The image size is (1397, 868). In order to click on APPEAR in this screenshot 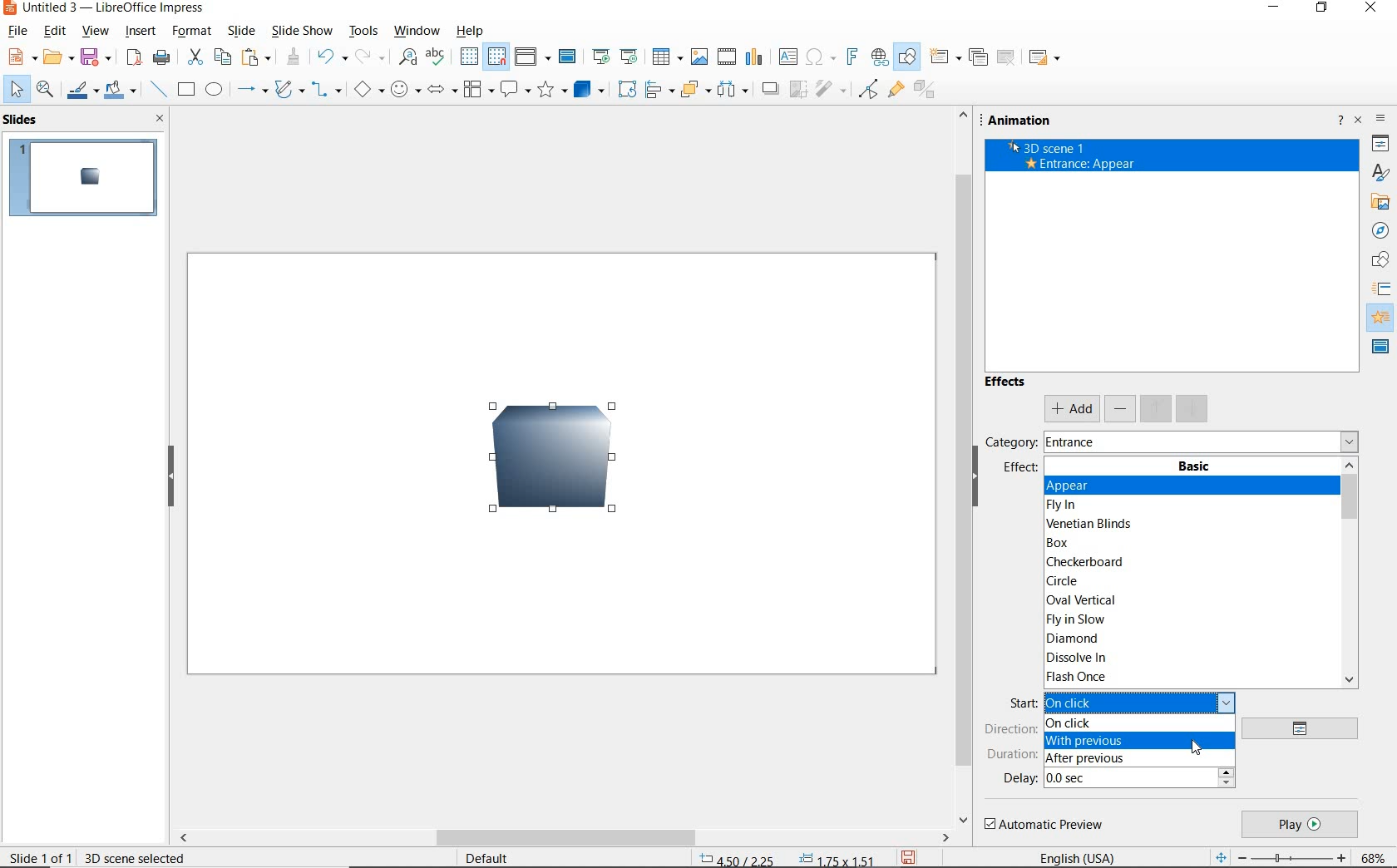, I will do `click(1191, 486)`.